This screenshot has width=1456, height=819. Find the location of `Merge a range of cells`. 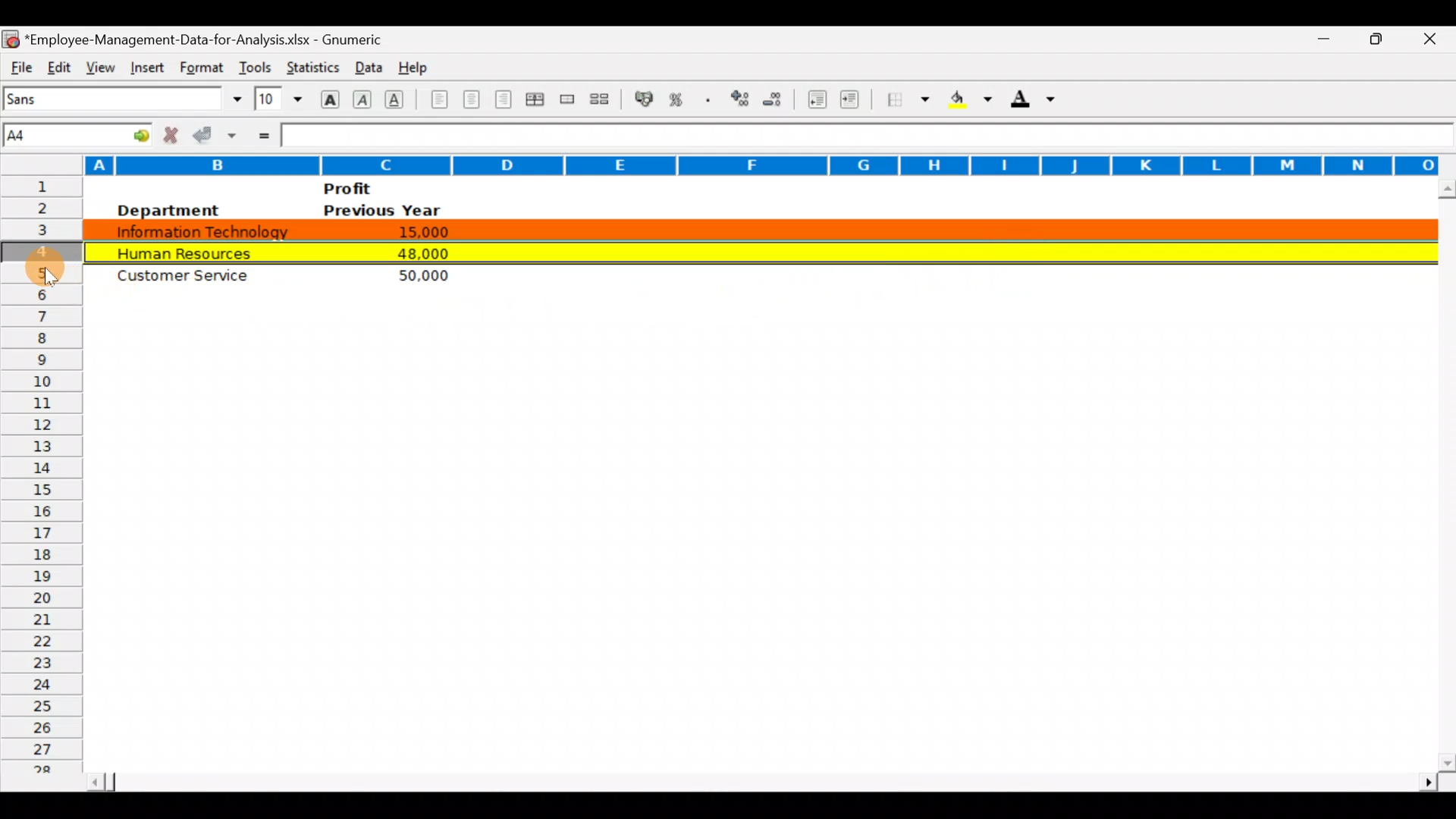

Merge a range of cells is located at coordinates (566, 101).